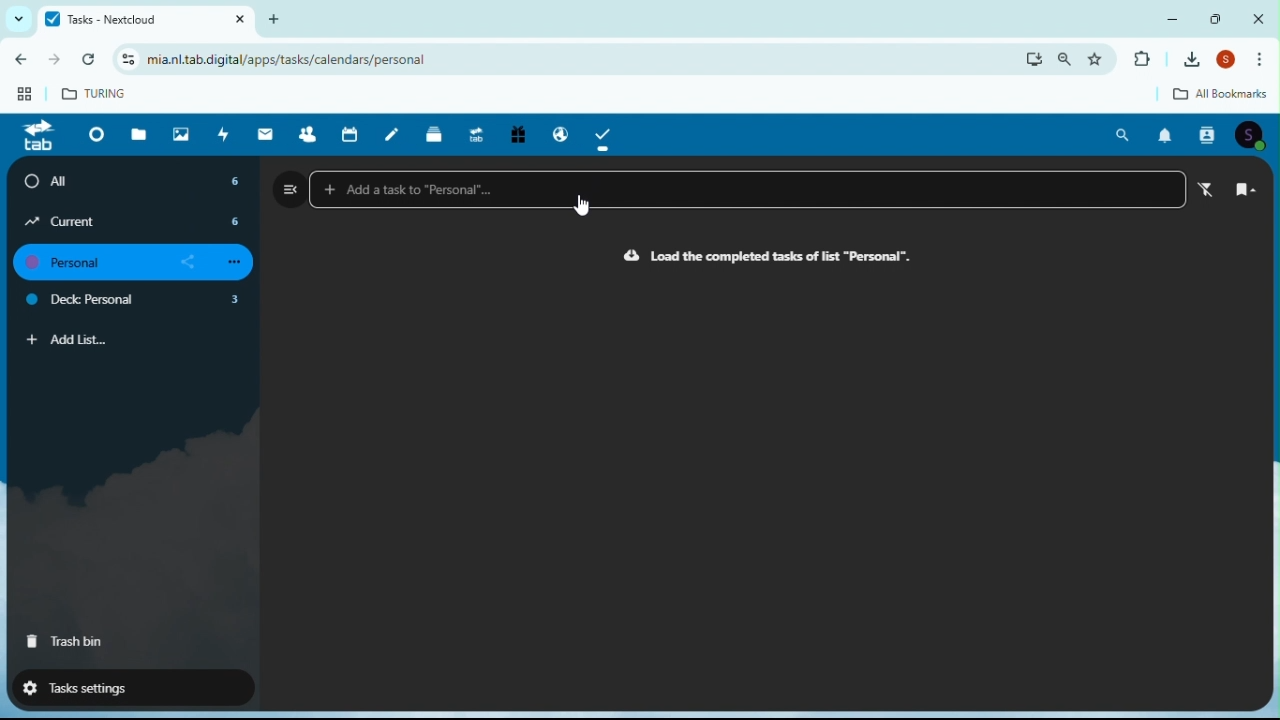  Describe the element at coordinates (1066, 59) in the screenshot. I see `search` at that location.